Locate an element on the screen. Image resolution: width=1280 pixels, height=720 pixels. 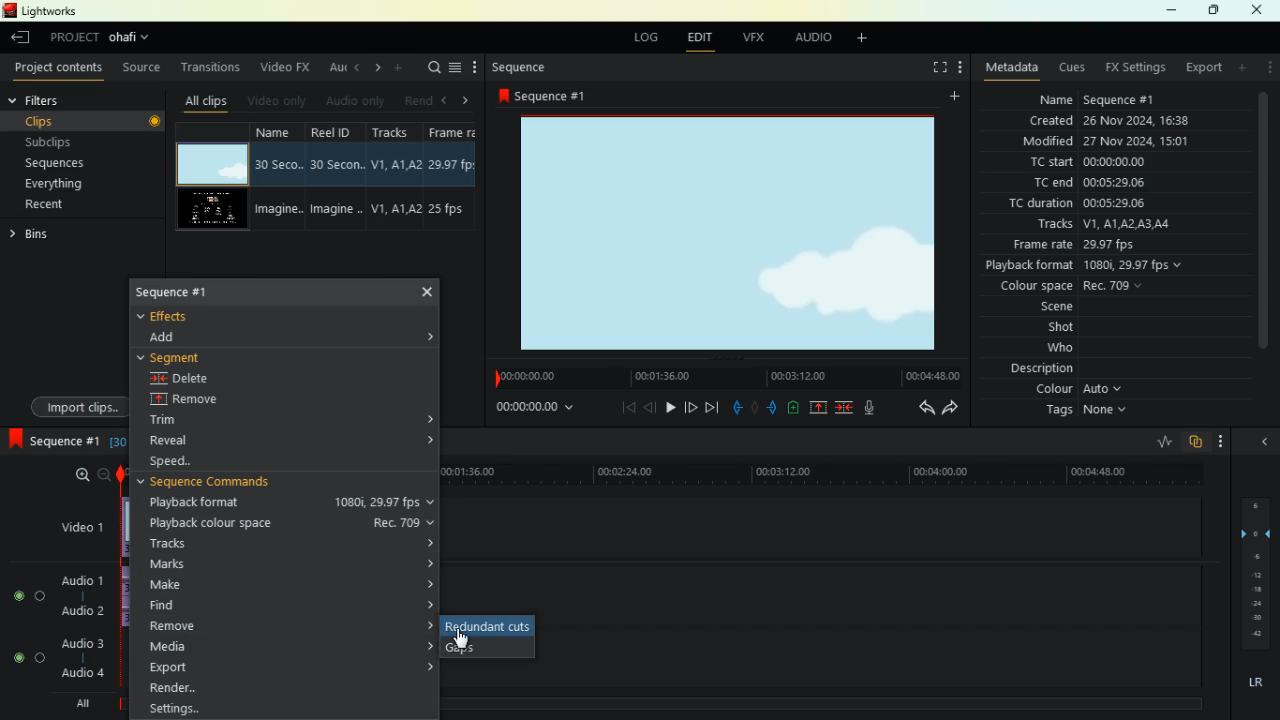
filters is located at coordinates (54, 101).